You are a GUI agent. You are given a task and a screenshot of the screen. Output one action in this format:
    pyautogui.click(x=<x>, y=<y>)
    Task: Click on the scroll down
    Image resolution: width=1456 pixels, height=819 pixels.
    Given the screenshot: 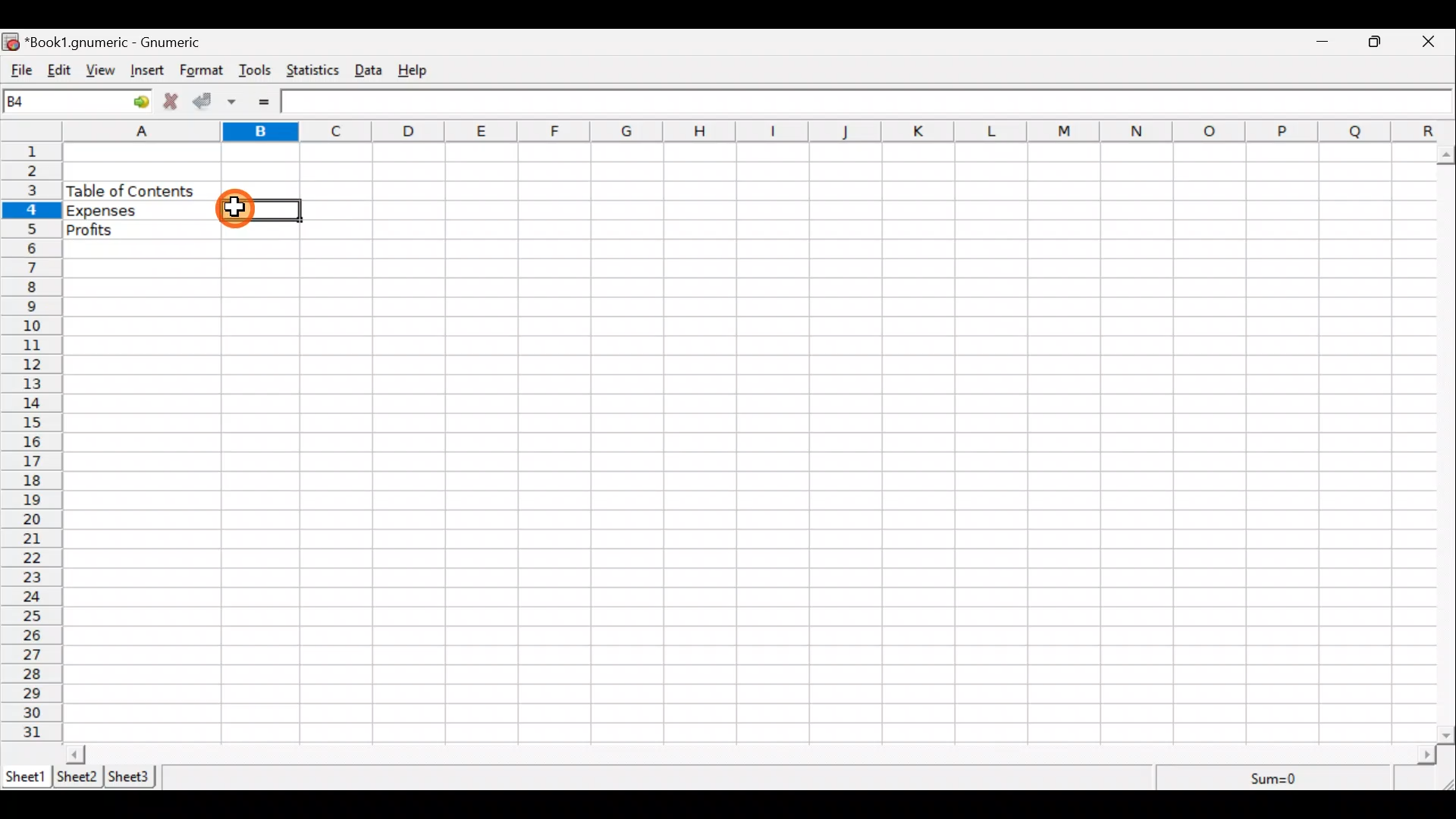 What is the action you would take?
    pyautogui.click(x=1447, y=735)
    